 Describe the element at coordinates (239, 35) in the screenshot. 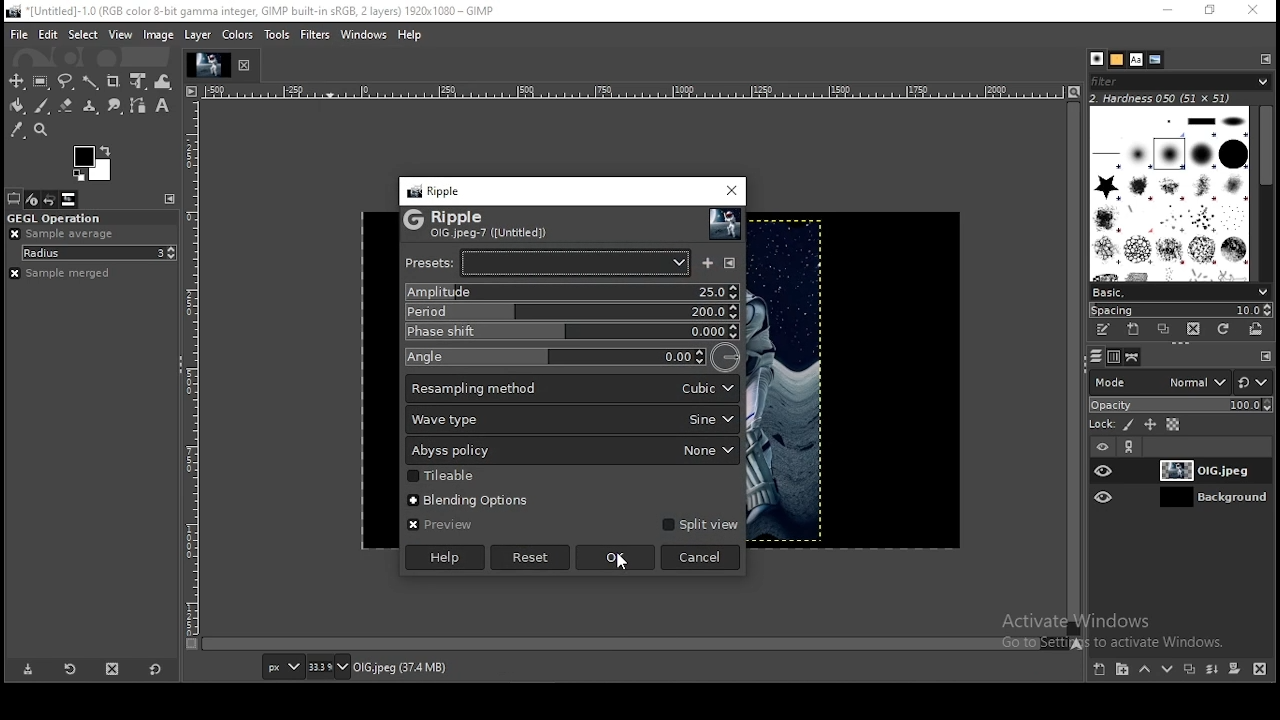

I see `colors` at that location.